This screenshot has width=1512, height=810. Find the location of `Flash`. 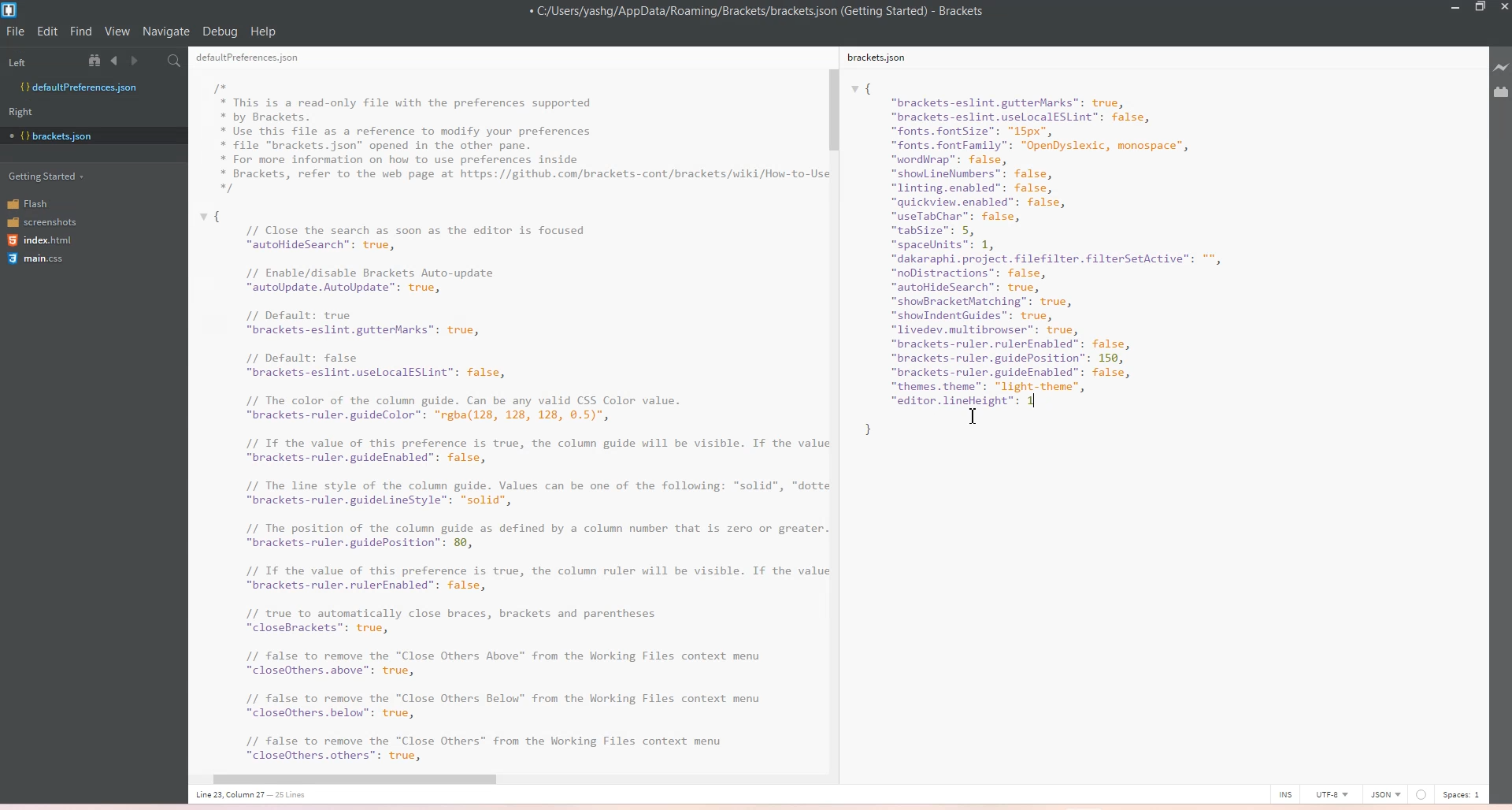

Flash is located at coordinates (39, 202).